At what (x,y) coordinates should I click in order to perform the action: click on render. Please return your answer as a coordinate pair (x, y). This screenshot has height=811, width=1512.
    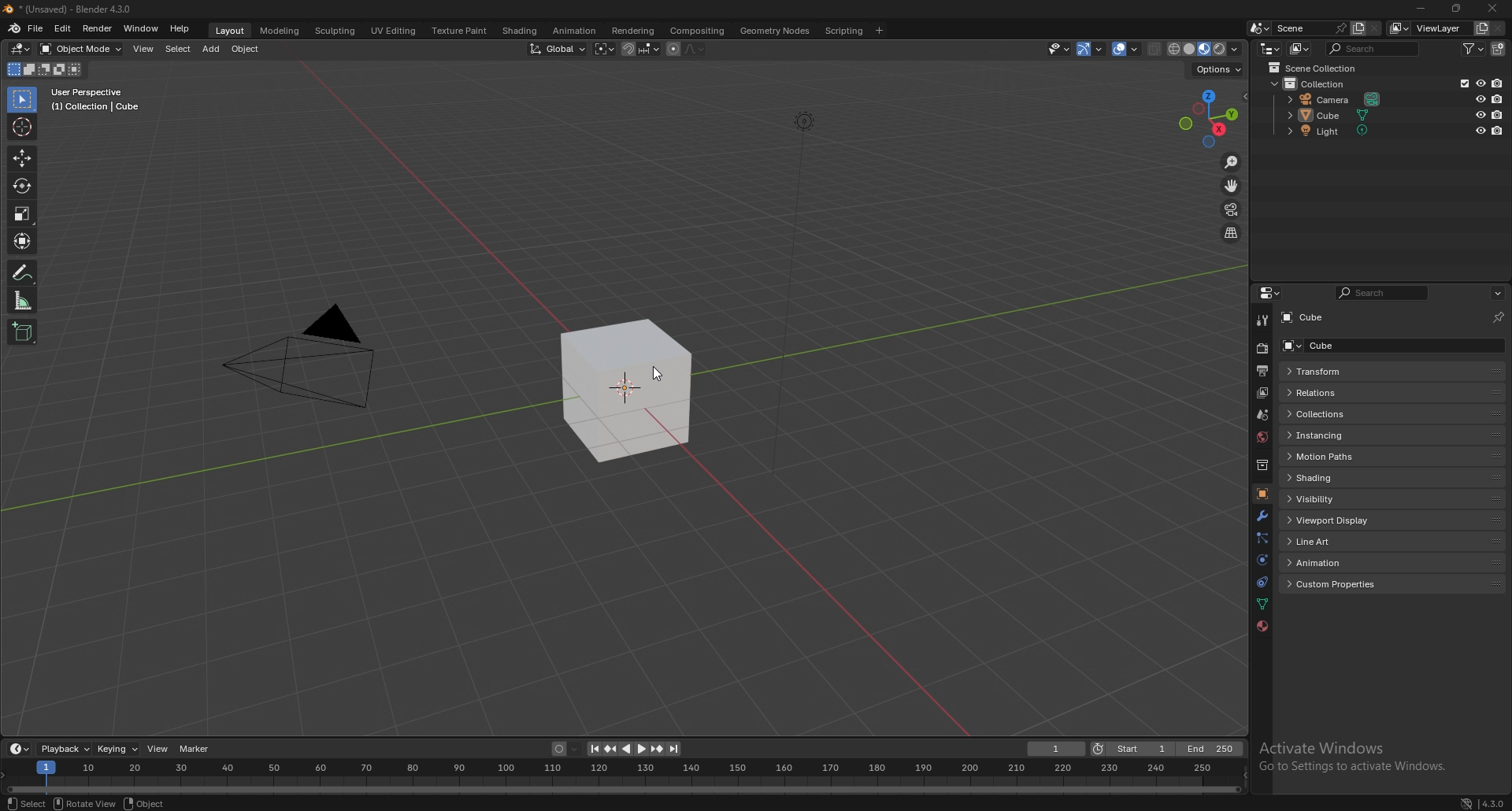
    Looking at the image, I should click on (97, 28).